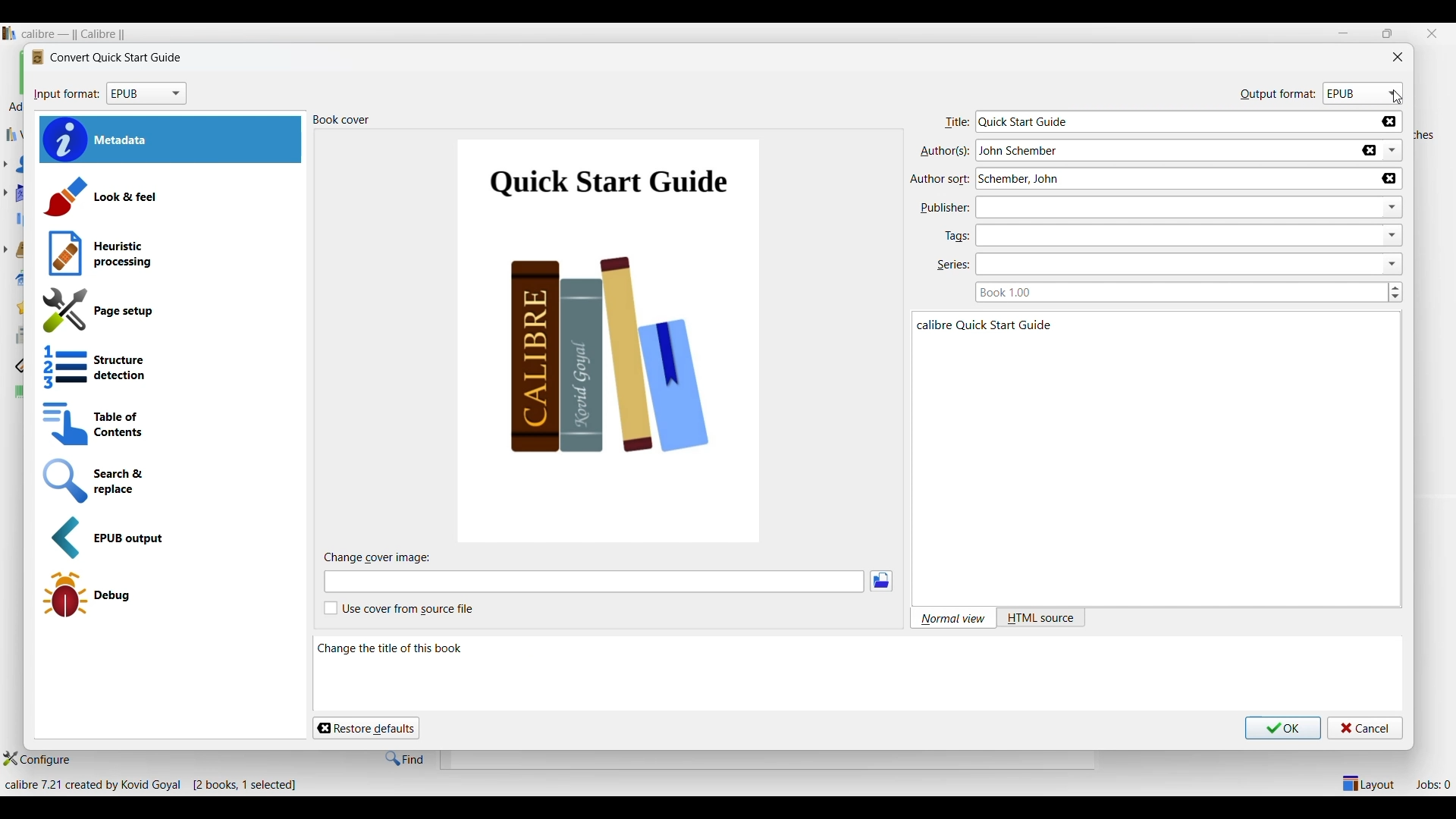  What do you see at coordinates (1395, 234) in the screenshot?
I see `dropdown` at bounding box center [1395, 234].